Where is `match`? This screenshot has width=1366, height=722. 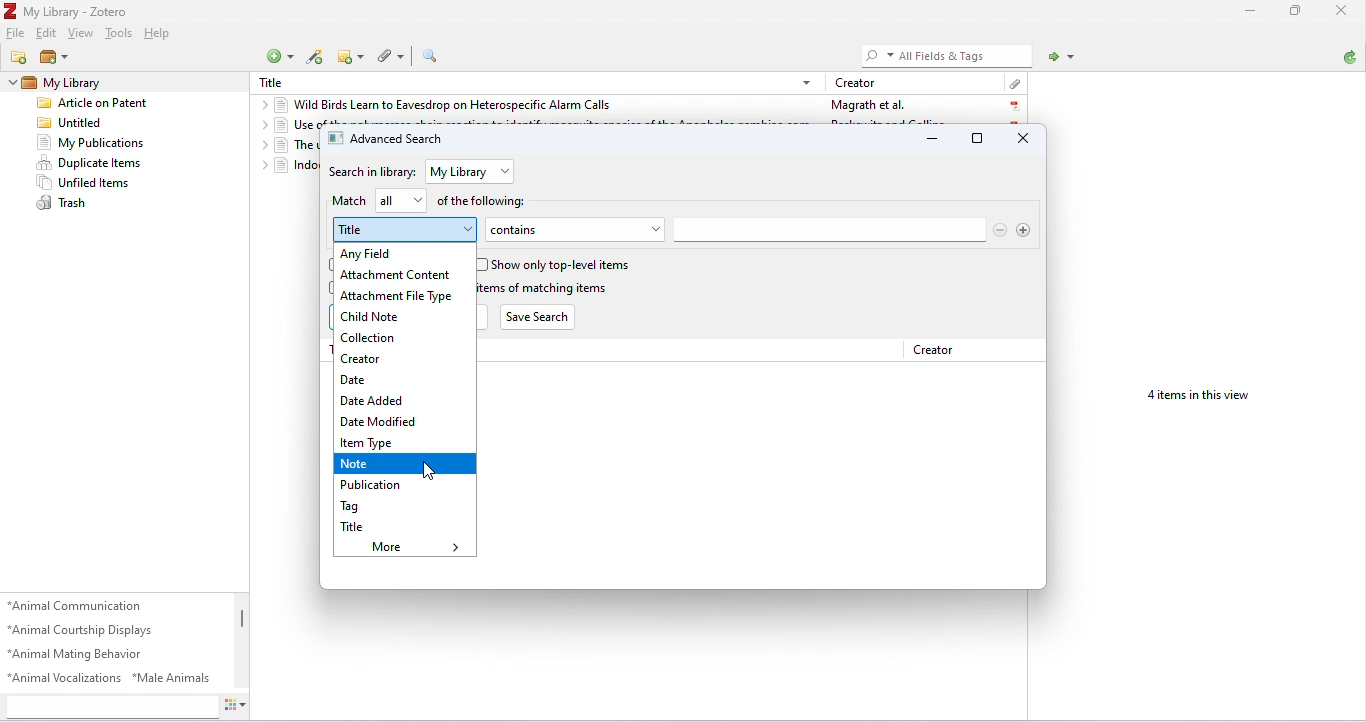
match is located at coordinates (352, 201).